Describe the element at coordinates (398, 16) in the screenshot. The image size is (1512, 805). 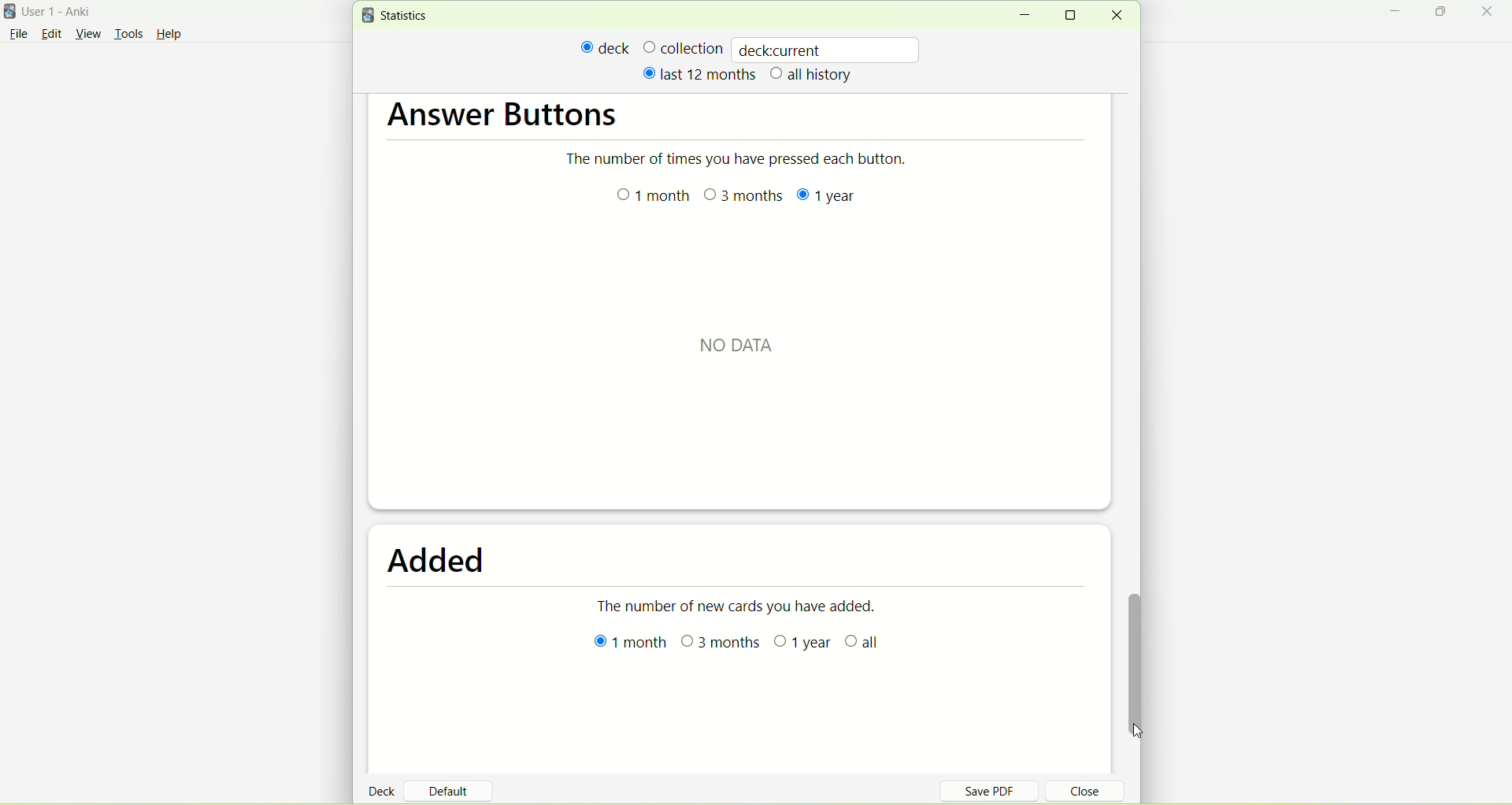
I see `statistics` at that location.